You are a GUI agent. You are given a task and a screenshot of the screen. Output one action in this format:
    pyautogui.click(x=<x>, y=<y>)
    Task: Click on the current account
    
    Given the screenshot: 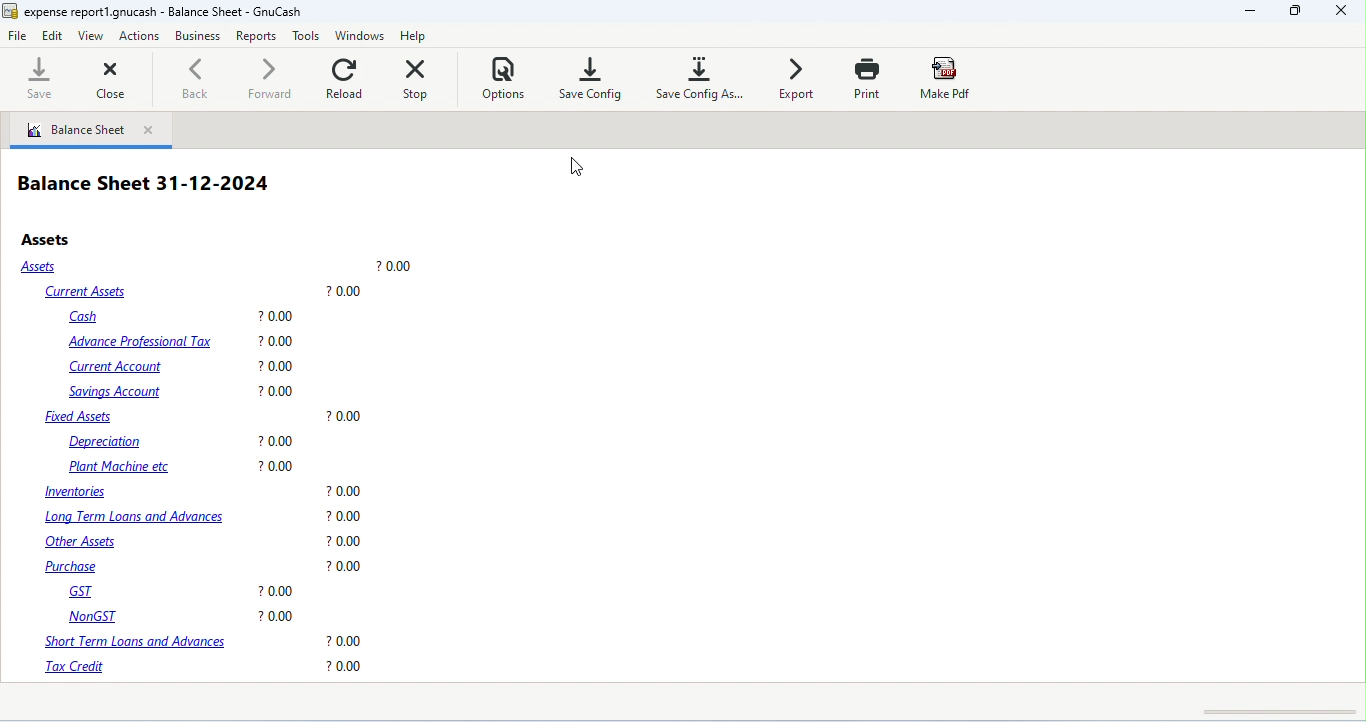 What is the action you would take?
    pyautogui.click(x=183, y=368)
    